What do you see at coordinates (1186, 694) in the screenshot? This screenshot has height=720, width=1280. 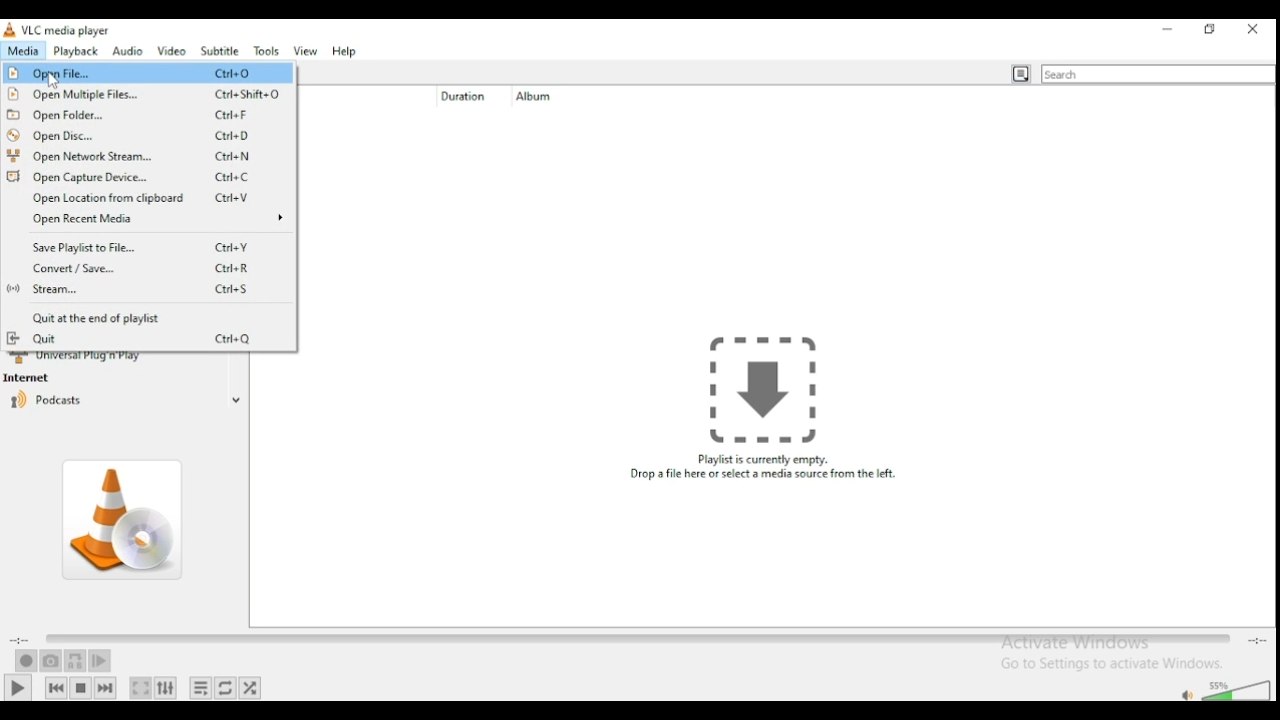 I see `mute/unmute` at bounding box center [1186, 694].